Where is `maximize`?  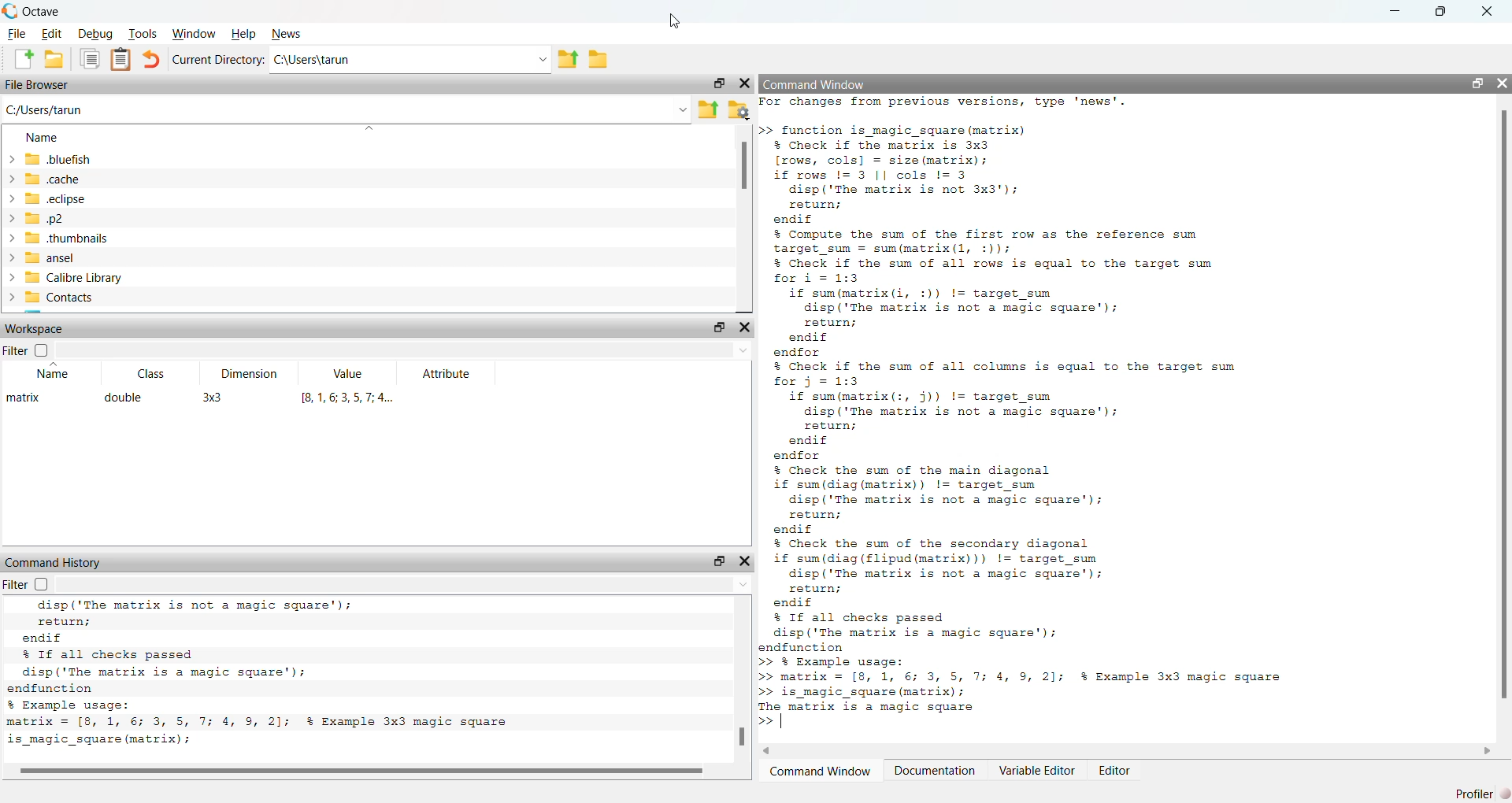 maximize is located at coordinates (718, 327).